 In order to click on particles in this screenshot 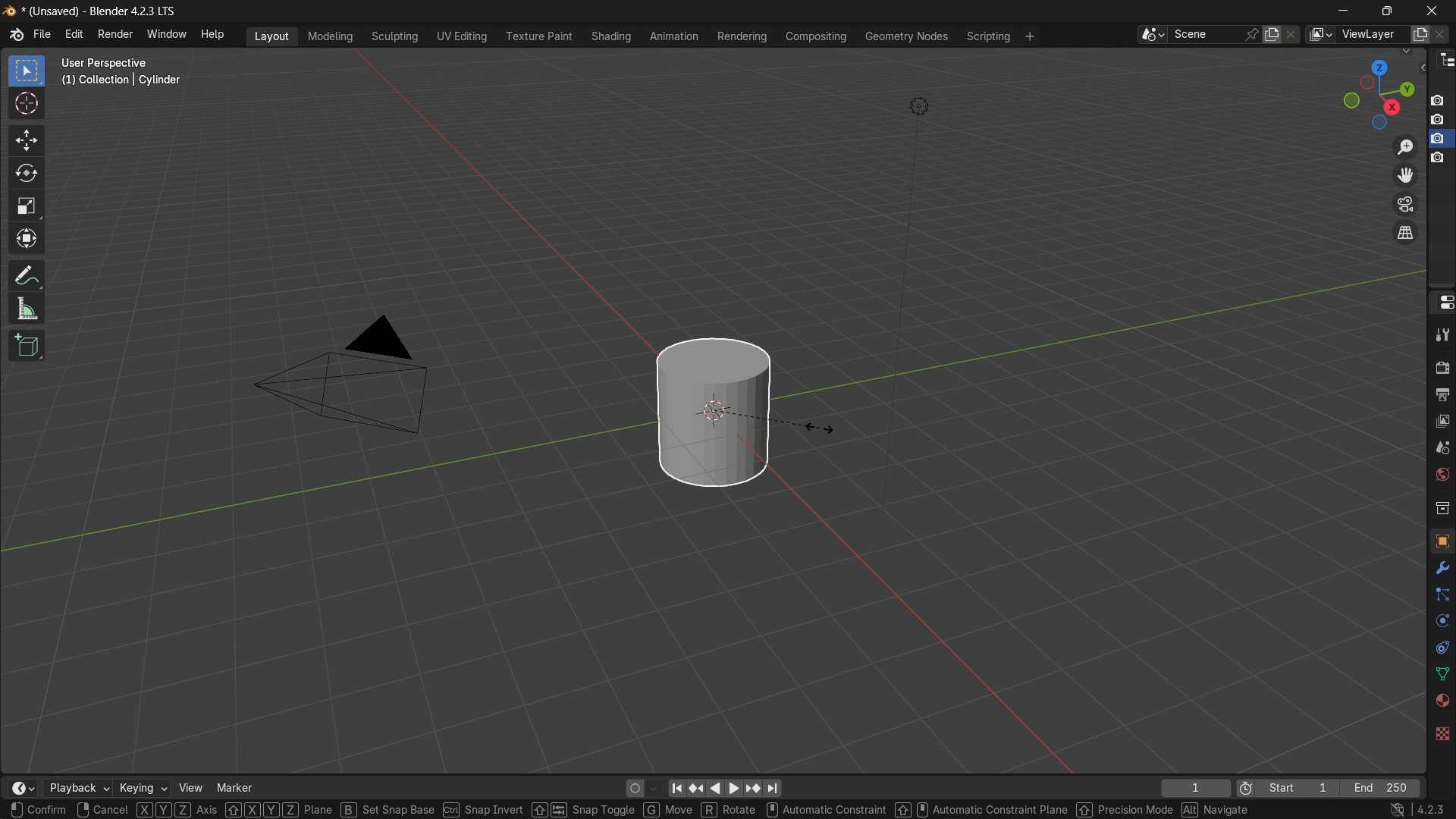, I will do `click(1439, 595)`.